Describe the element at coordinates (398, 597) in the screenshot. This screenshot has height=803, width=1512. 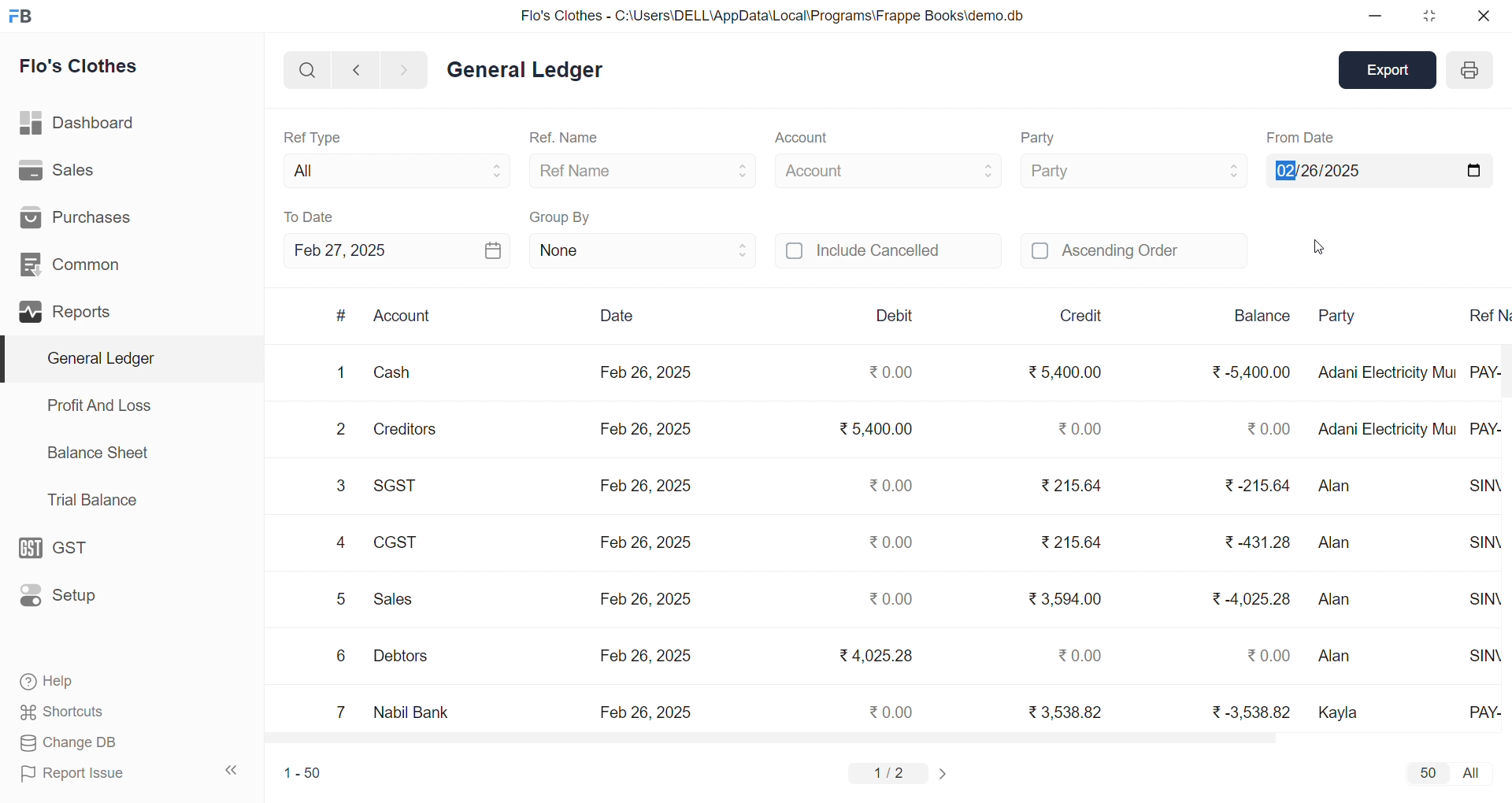
I see `Sales` at that location.